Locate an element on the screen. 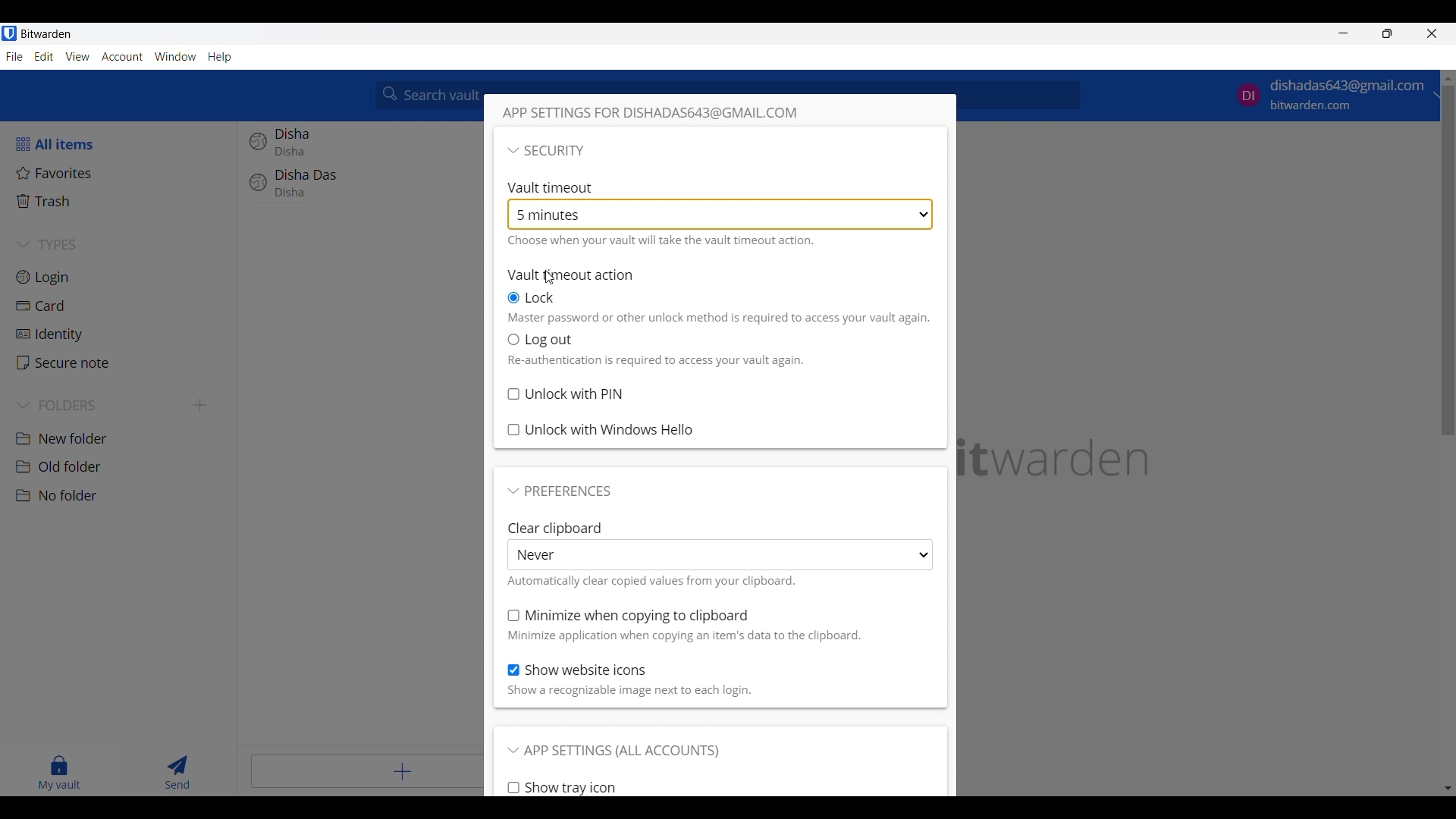 The image size is (1456, 819). Clear clipboard list is located at coordinates (720, 555).